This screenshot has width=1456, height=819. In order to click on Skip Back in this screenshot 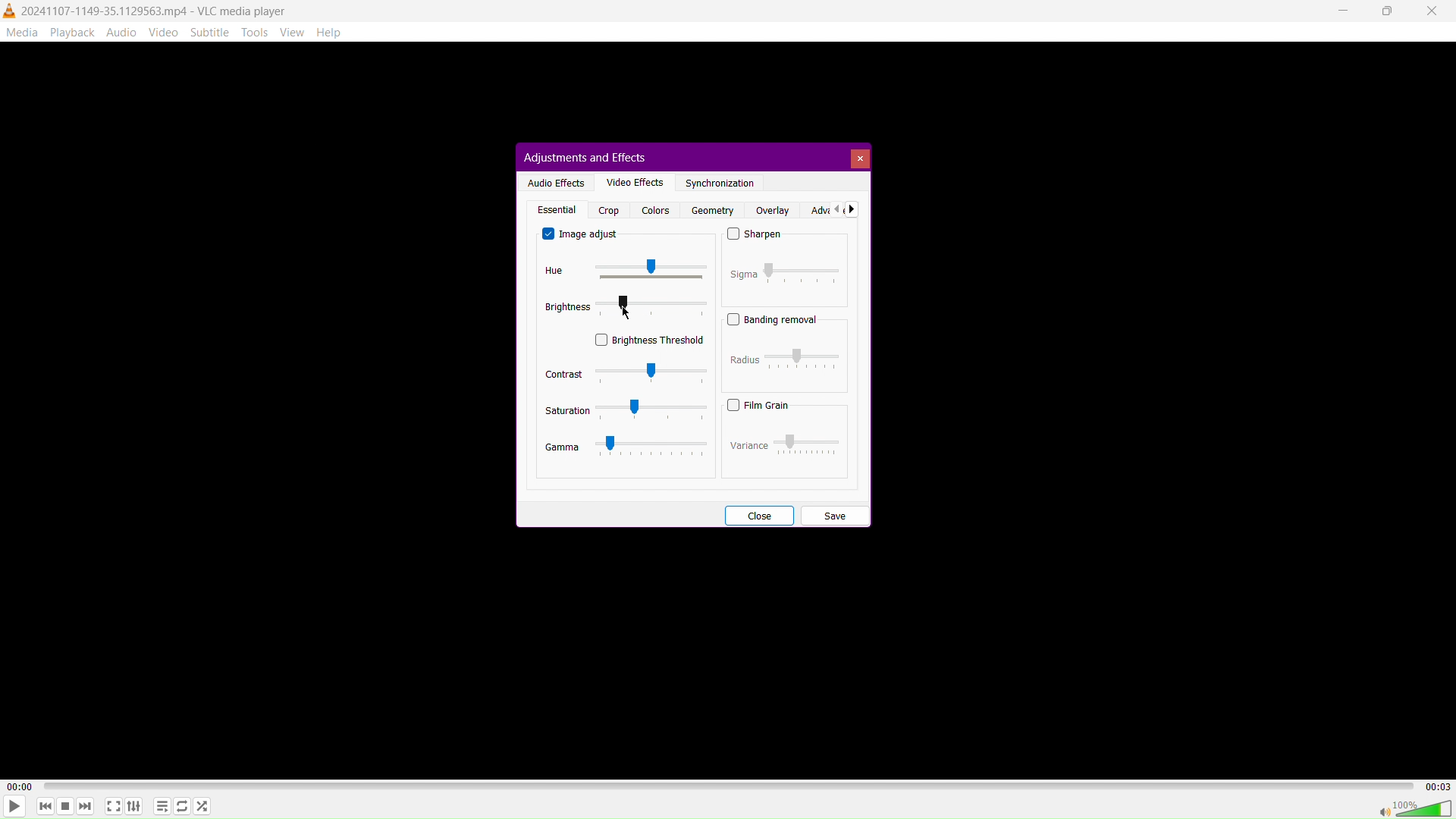, I will do `click(44, 807)`.